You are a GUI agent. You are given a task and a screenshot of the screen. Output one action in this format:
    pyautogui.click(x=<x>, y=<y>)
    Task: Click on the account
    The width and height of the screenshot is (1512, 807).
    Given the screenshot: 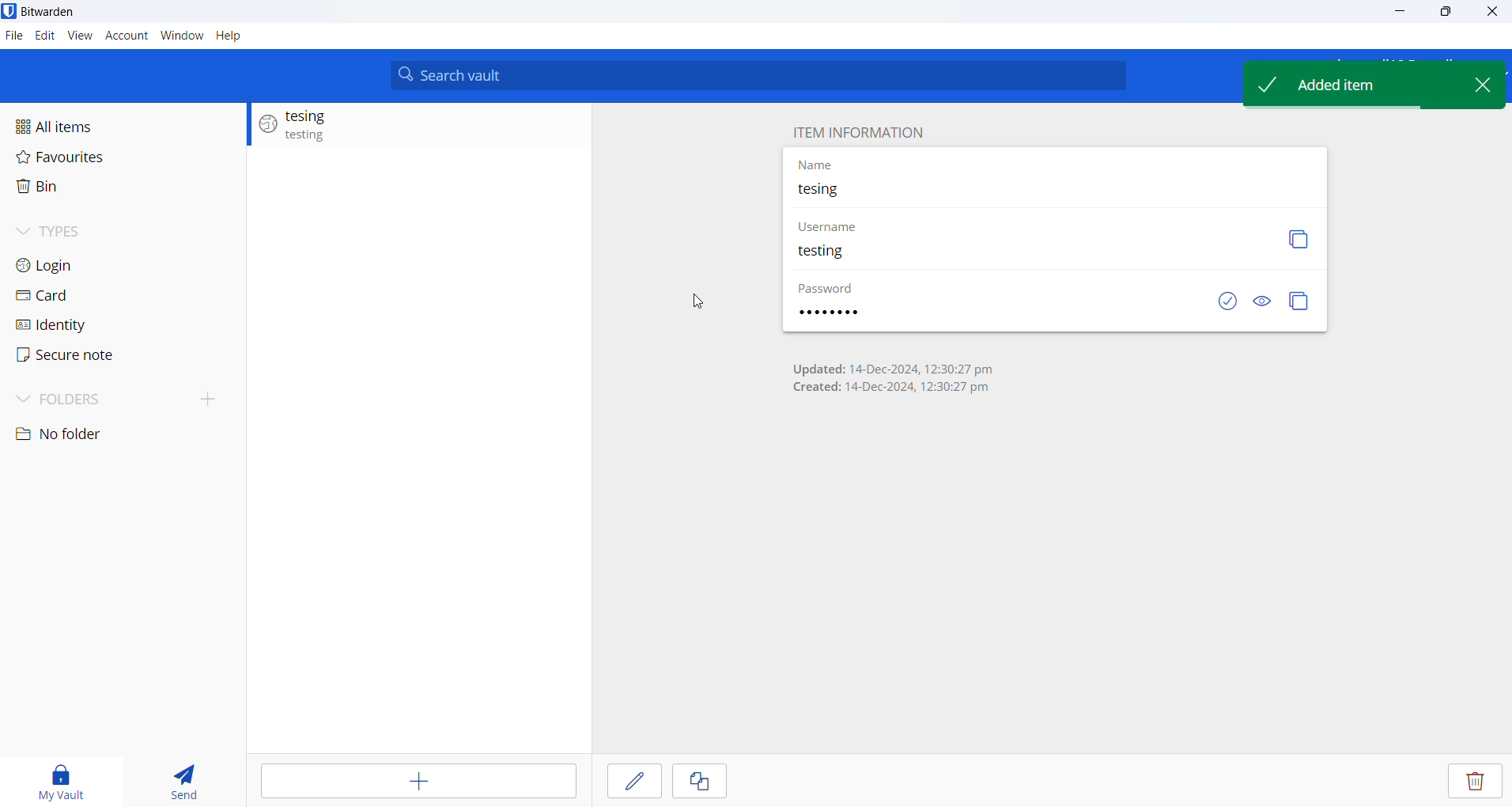 What is the action you would take?
    pyautogui.click(x=128, y=38)
    